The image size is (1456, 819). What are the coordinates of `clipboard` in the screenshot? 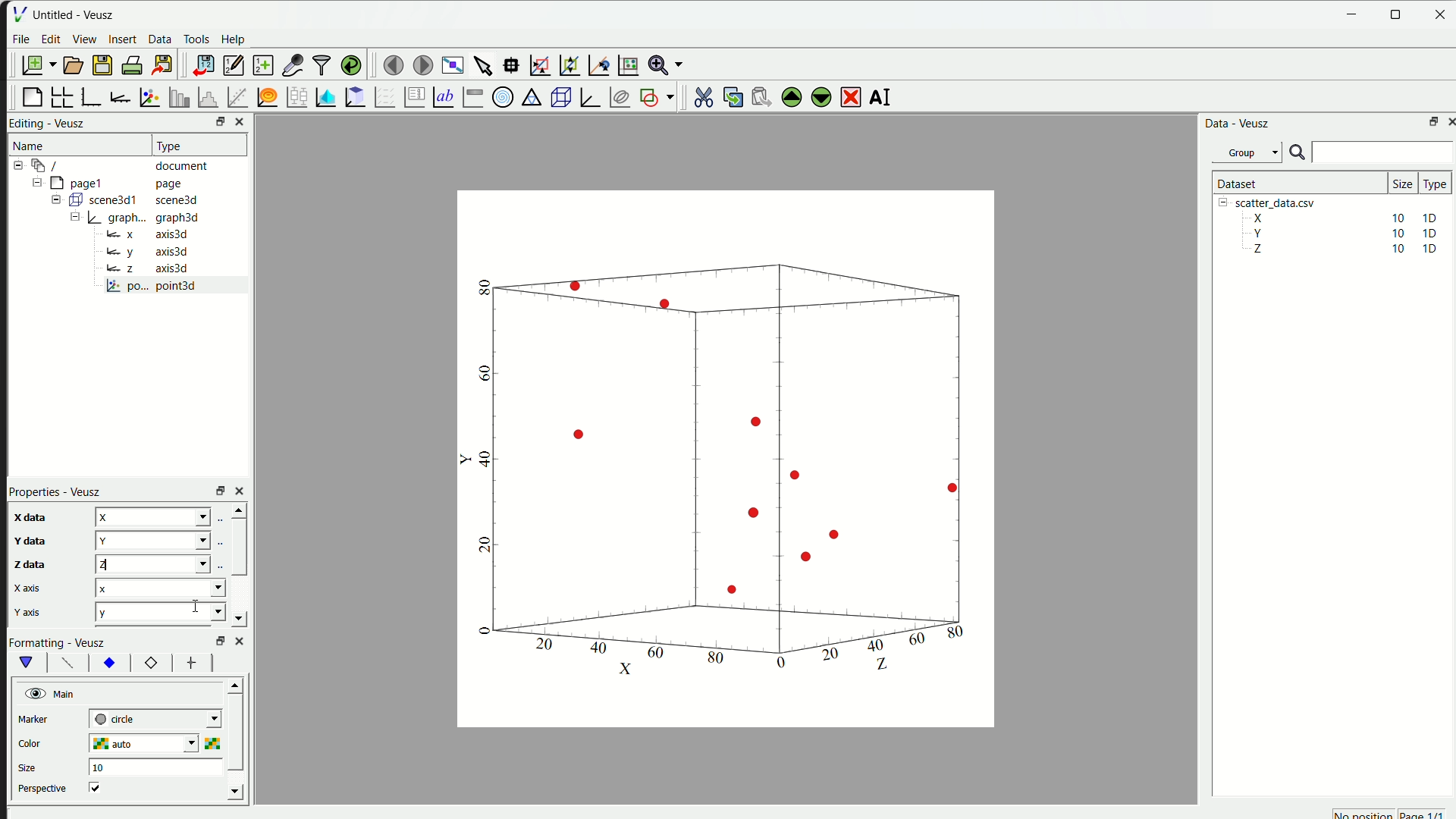 It's located at (353, 97).